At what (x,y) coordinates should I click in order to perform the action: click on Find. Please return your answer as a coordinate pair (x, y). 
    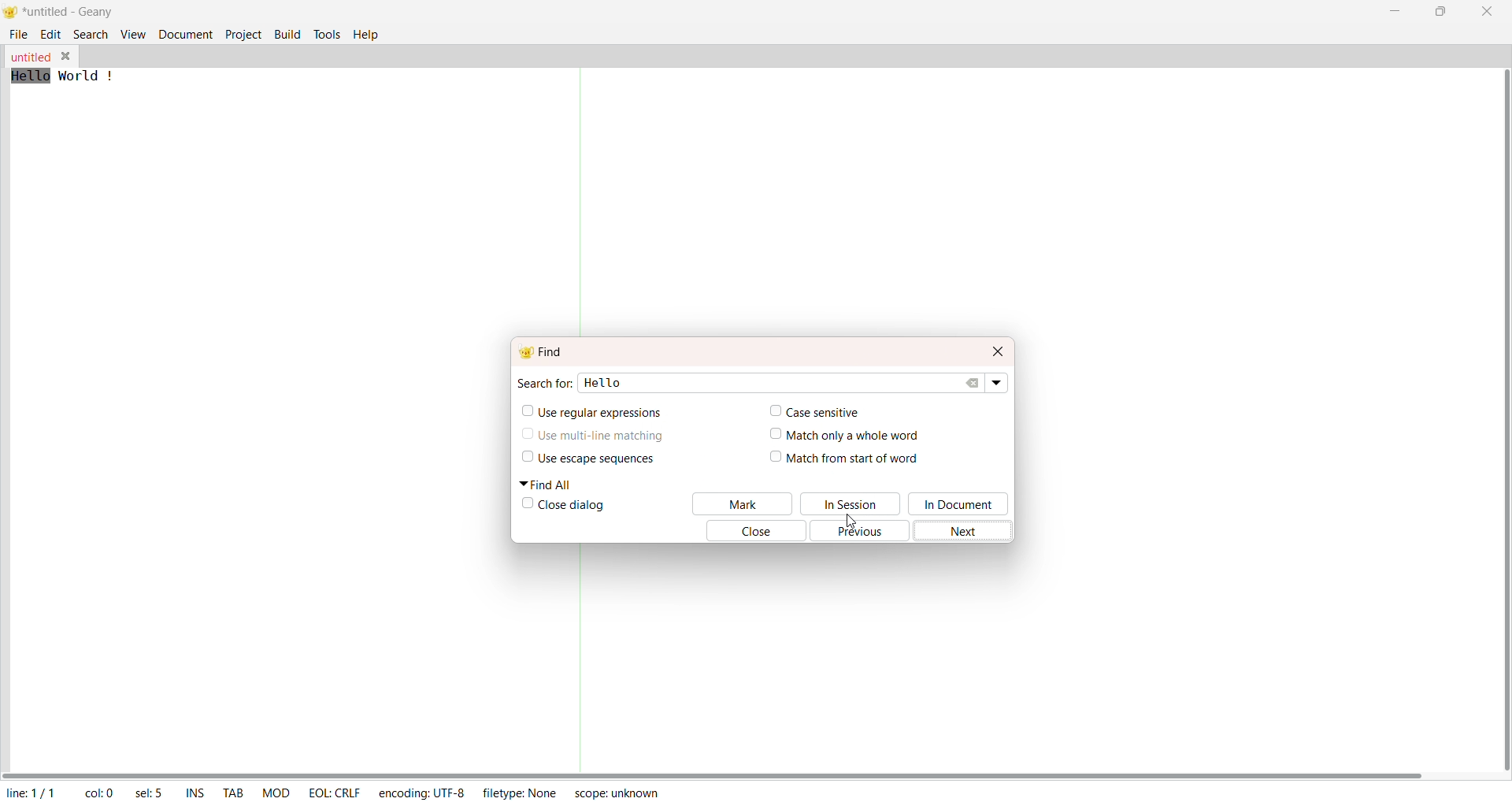
    Looking at the image, I should click on (547, 350).